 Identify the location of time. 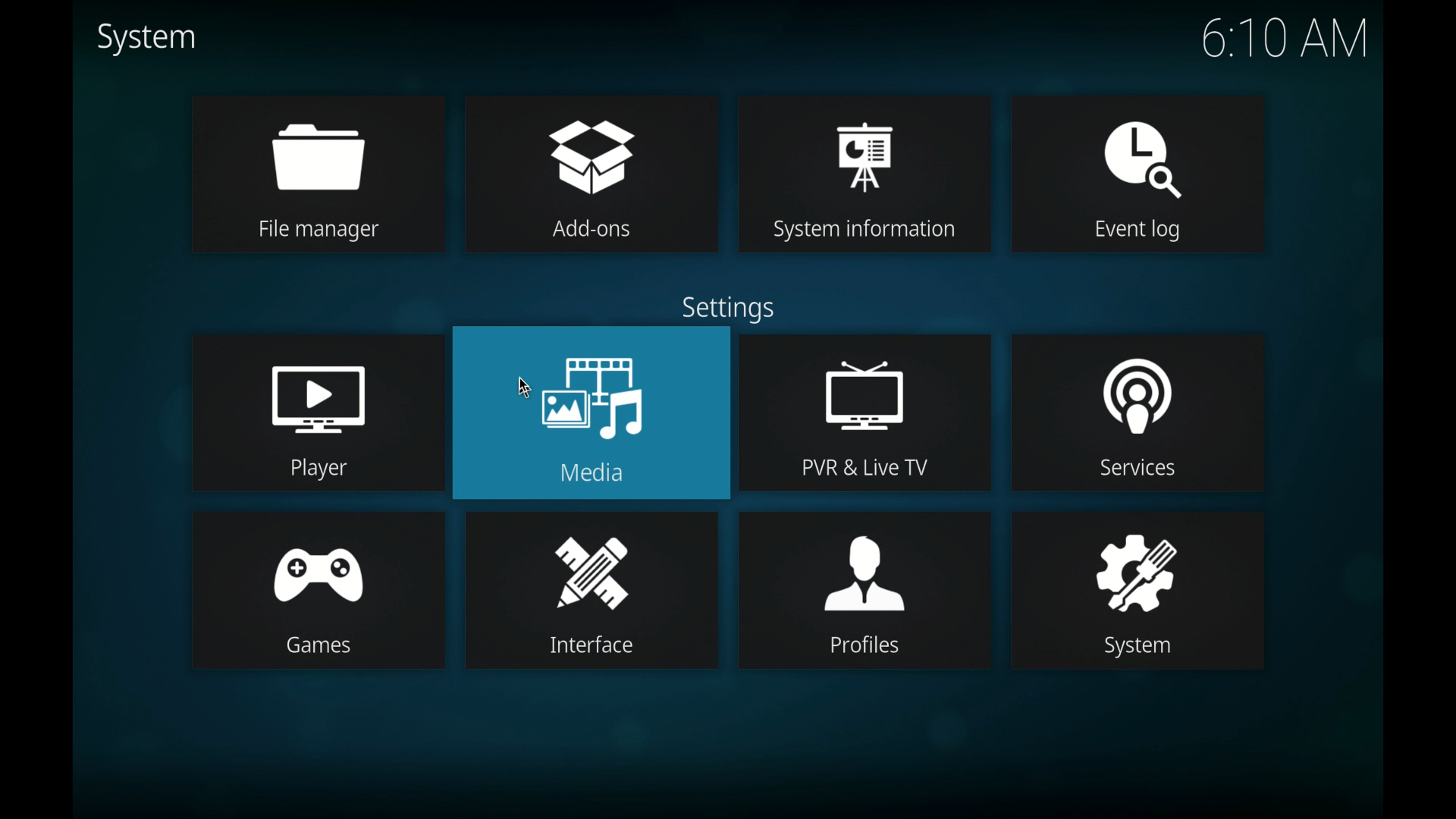
(1285, 37).